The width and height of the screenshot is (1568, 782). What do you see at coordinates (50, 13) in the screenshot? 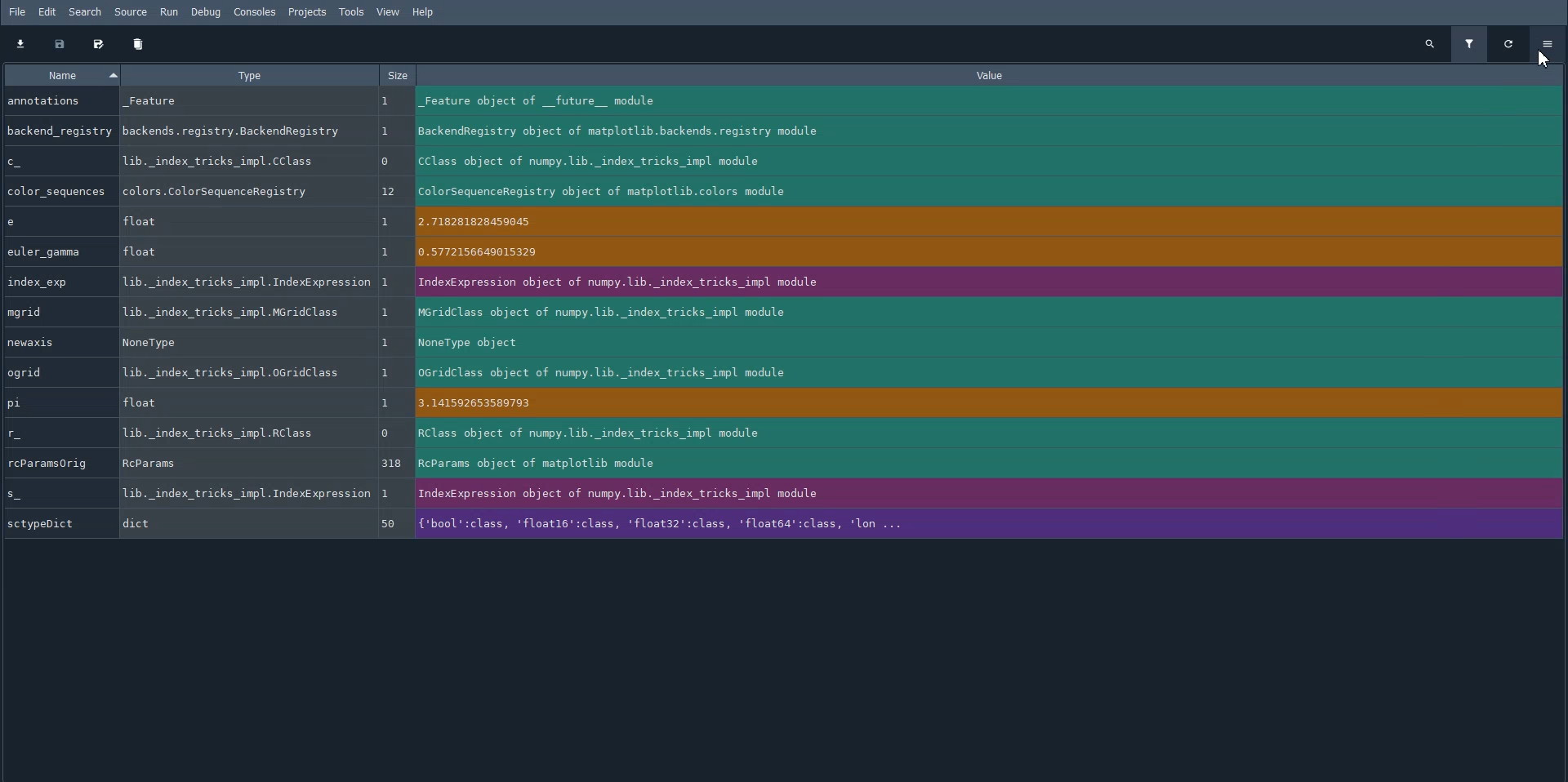
I see `Edit` at bounding box center [50, 13].